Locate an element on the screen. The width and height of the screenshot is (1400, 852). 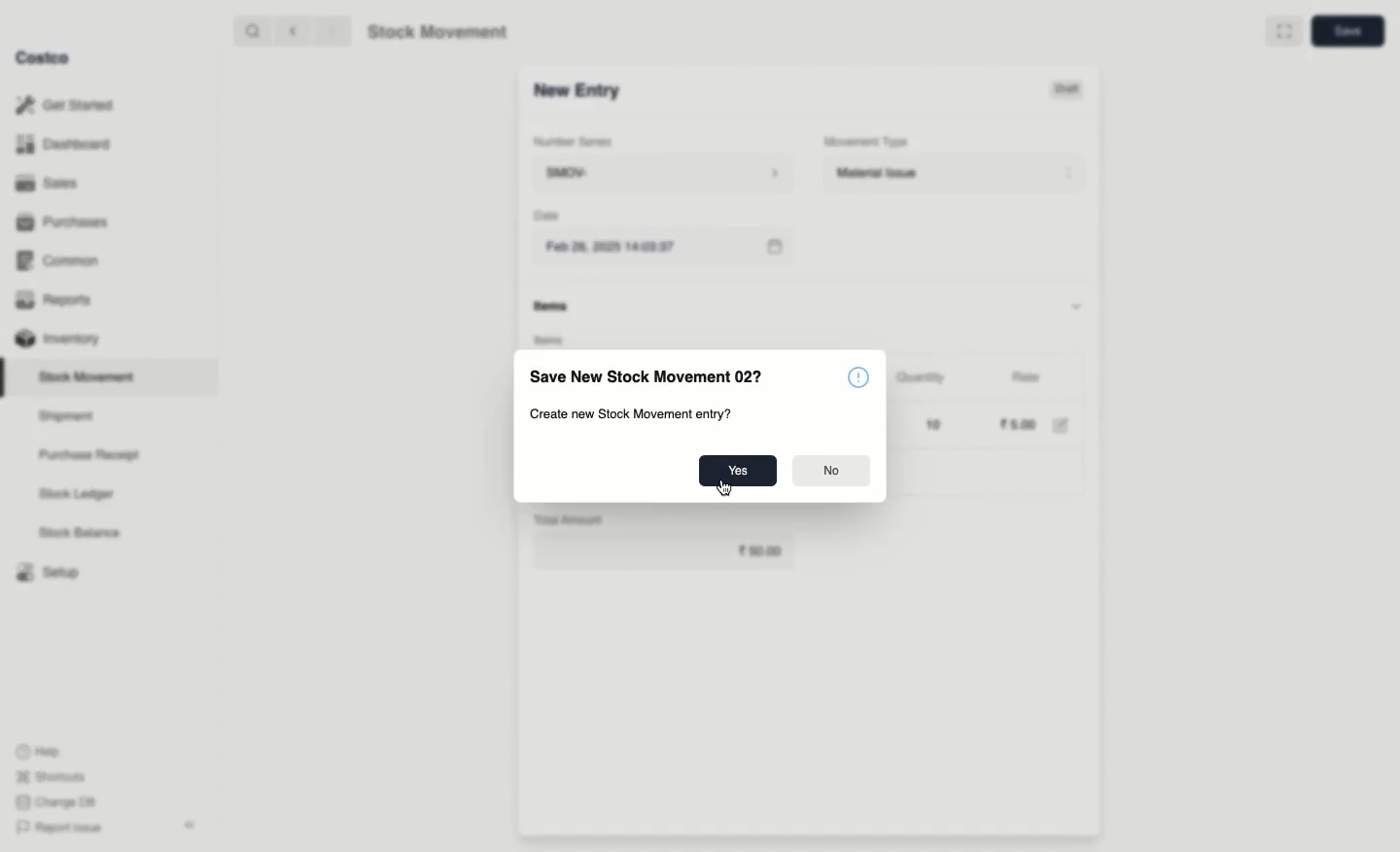
Get Started is located at coordinates (69, 104).